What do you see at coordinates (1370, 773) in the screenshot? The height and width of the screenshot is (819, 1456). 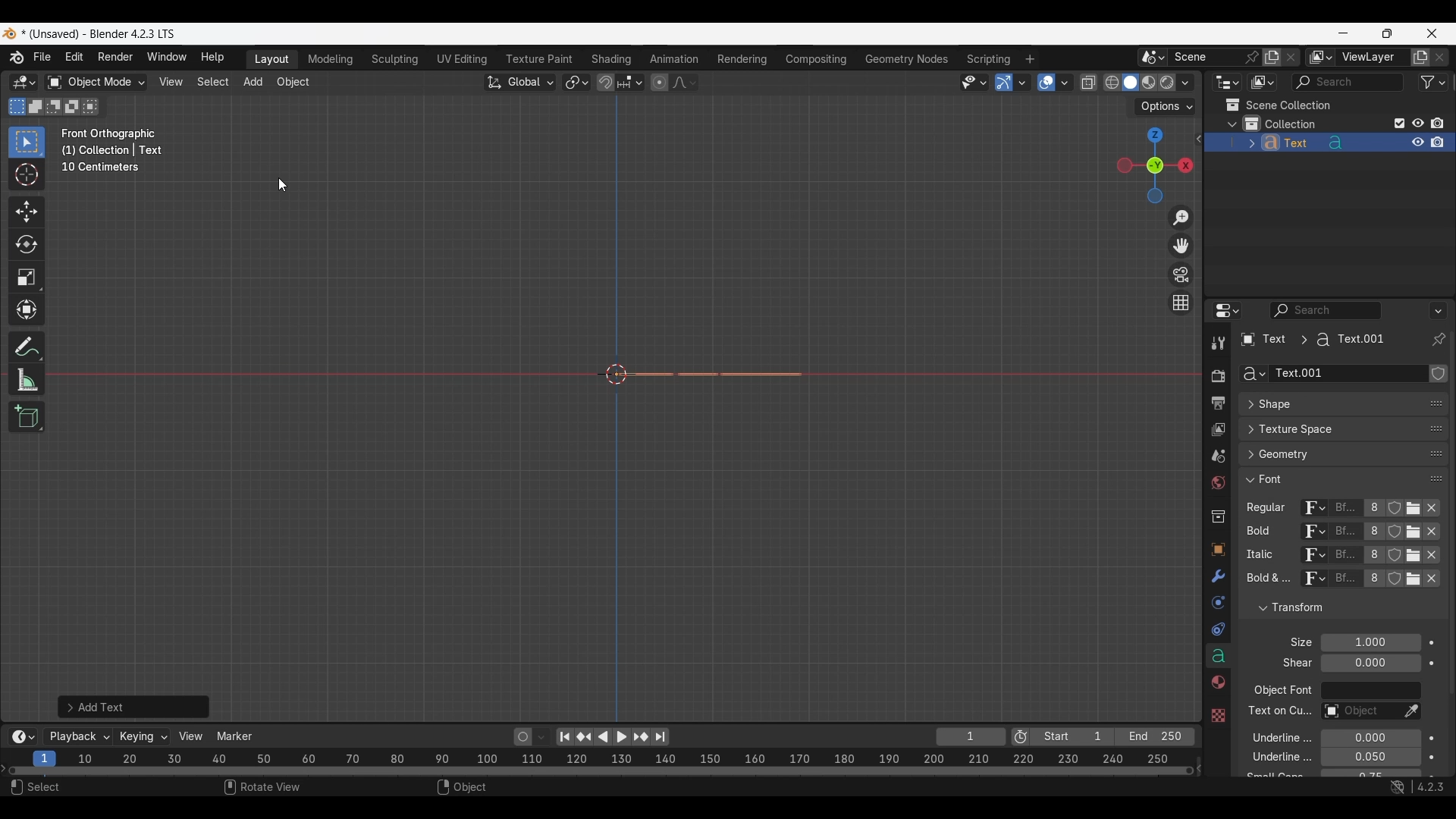 I see `Small caps` at bounding box center [1370, 773].